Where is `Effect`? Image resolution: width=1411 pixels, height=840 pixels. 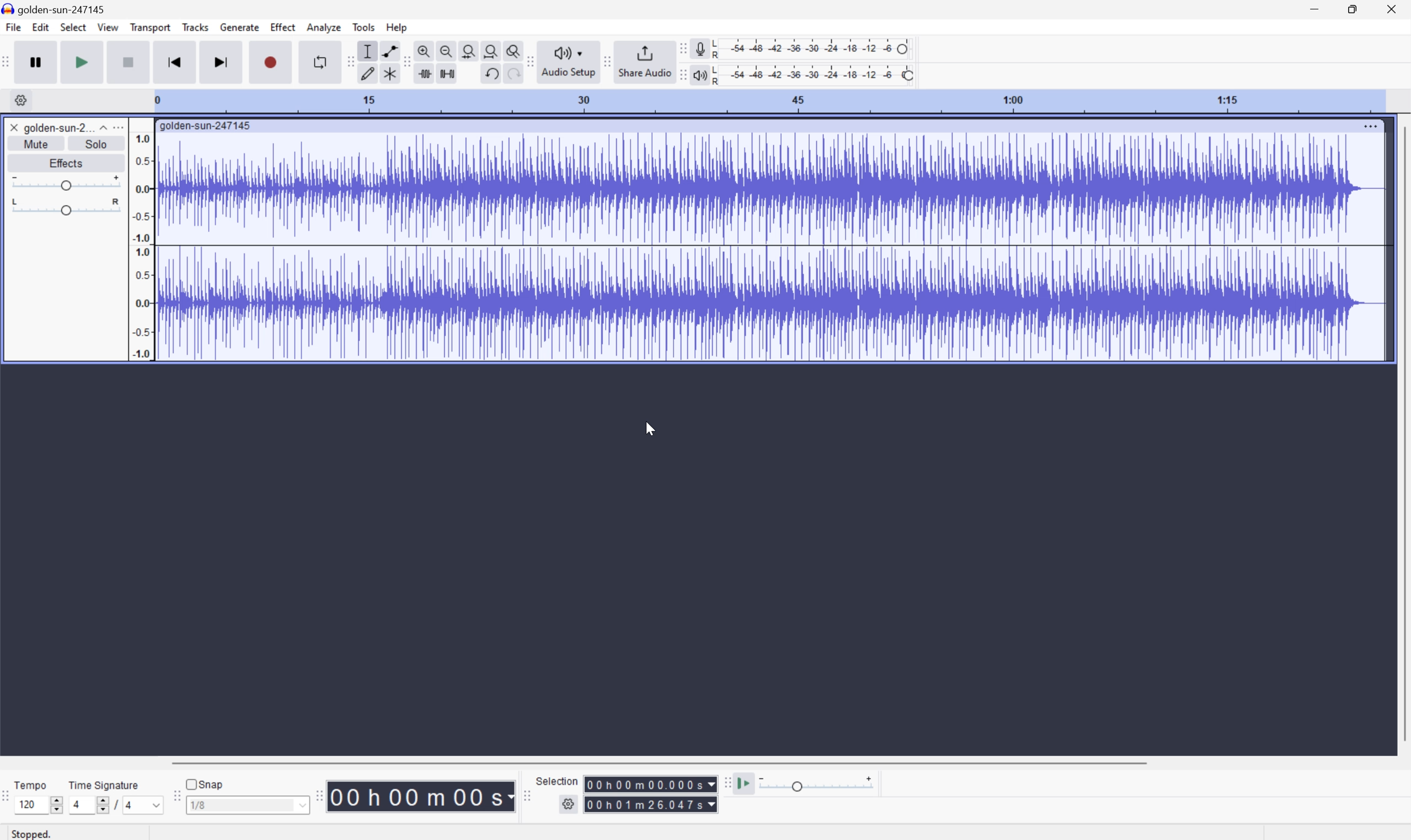 Effect is located at coordinates (283, 26).